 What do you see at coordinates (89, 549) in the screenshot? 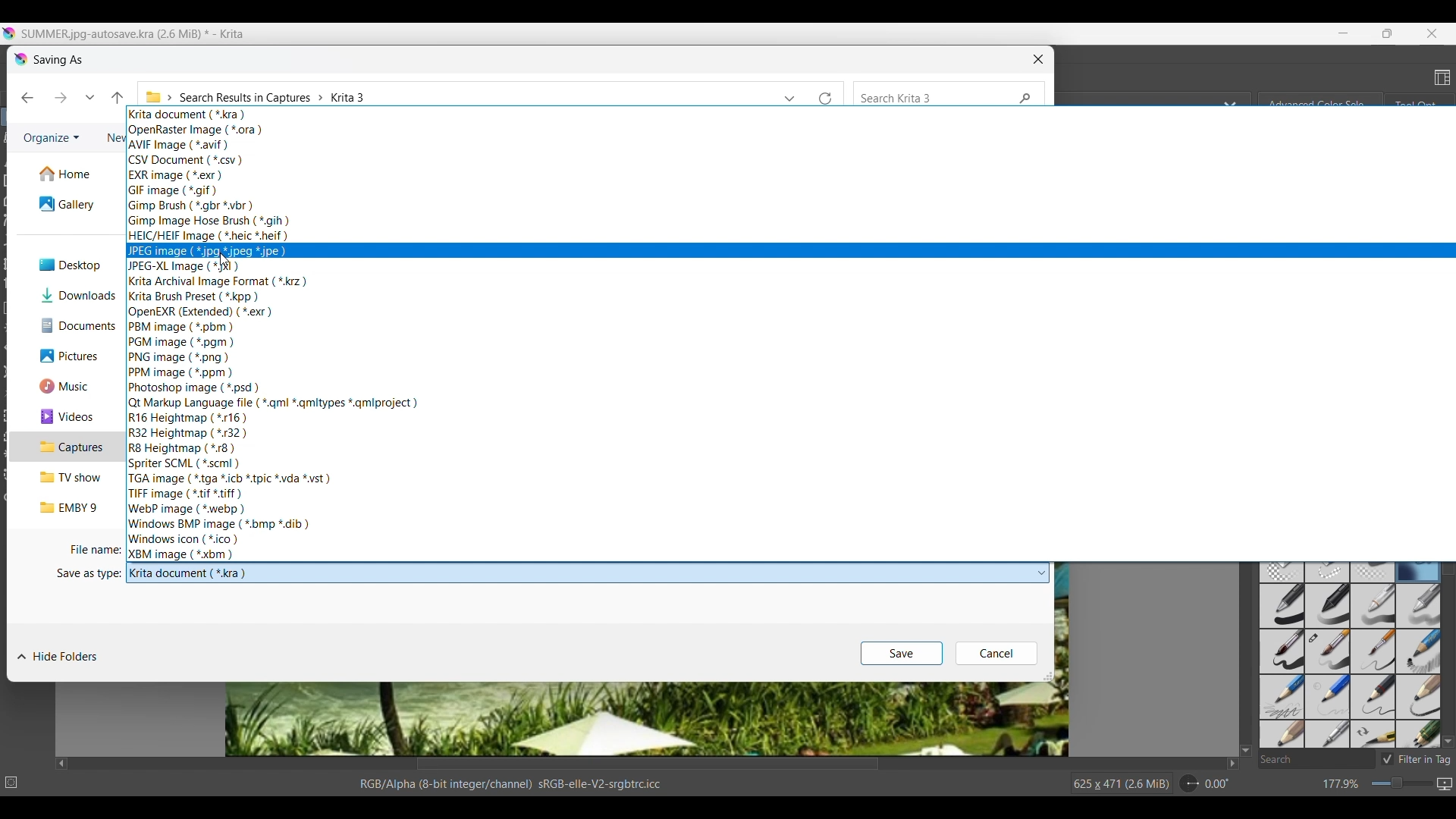
I see `File Name:` at bounding box center [89, 549].